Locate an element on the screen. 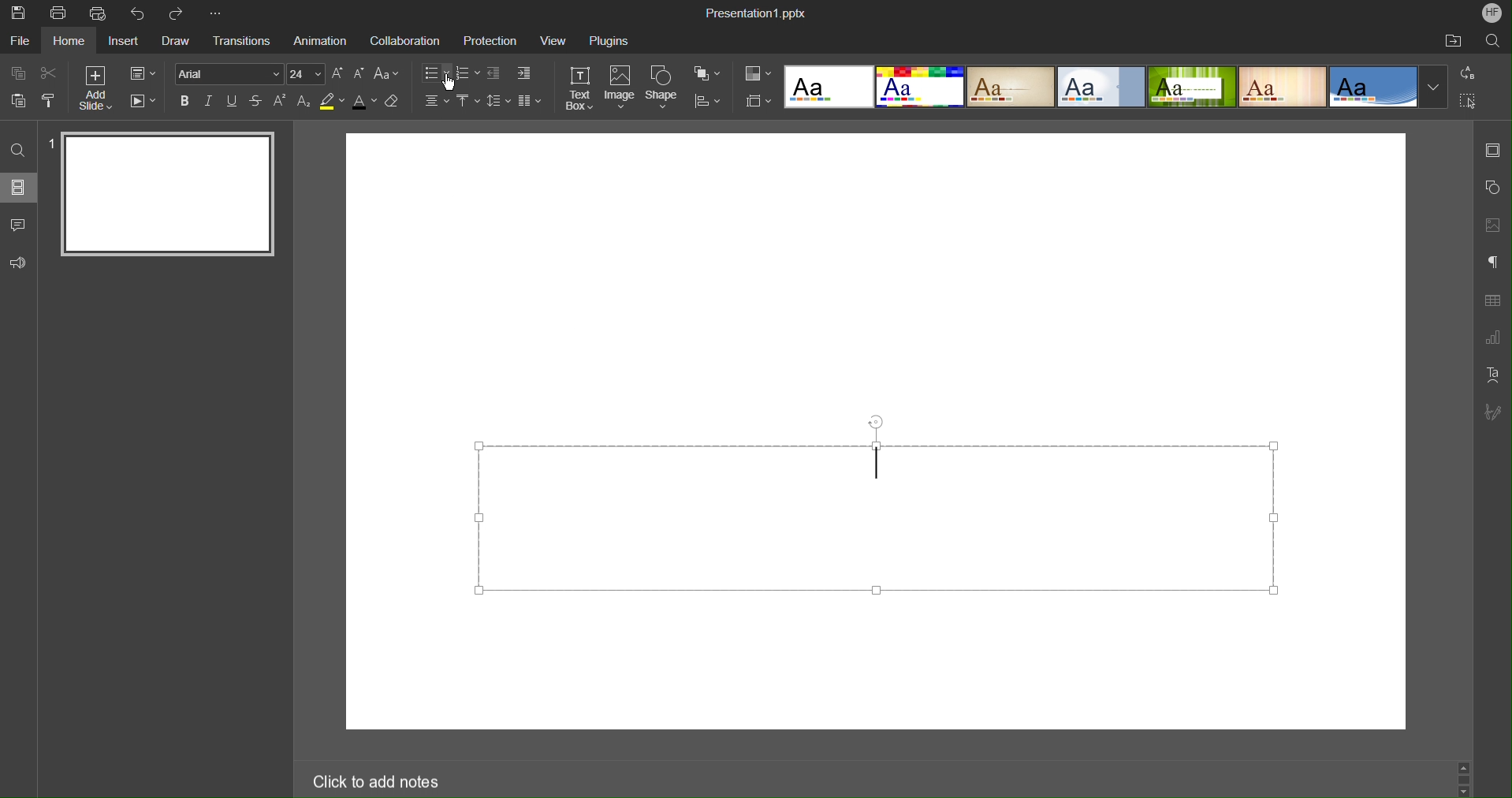 Image resolution: width=1512 pixels, height=798 pixels. scrollbar is located at coordinates (1463, 779).